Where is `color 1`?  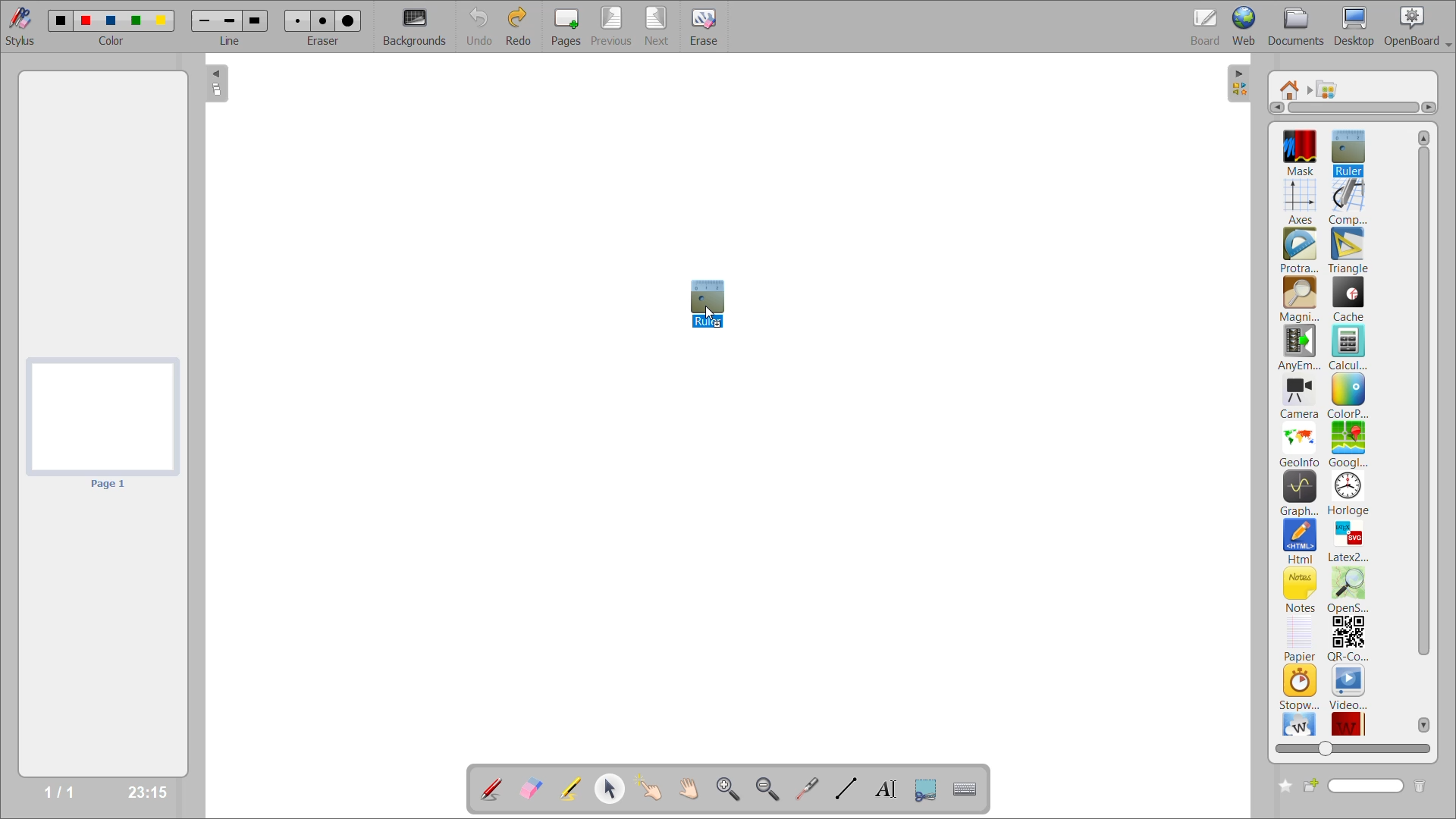
color 1 is located at coordinates (57, 20).